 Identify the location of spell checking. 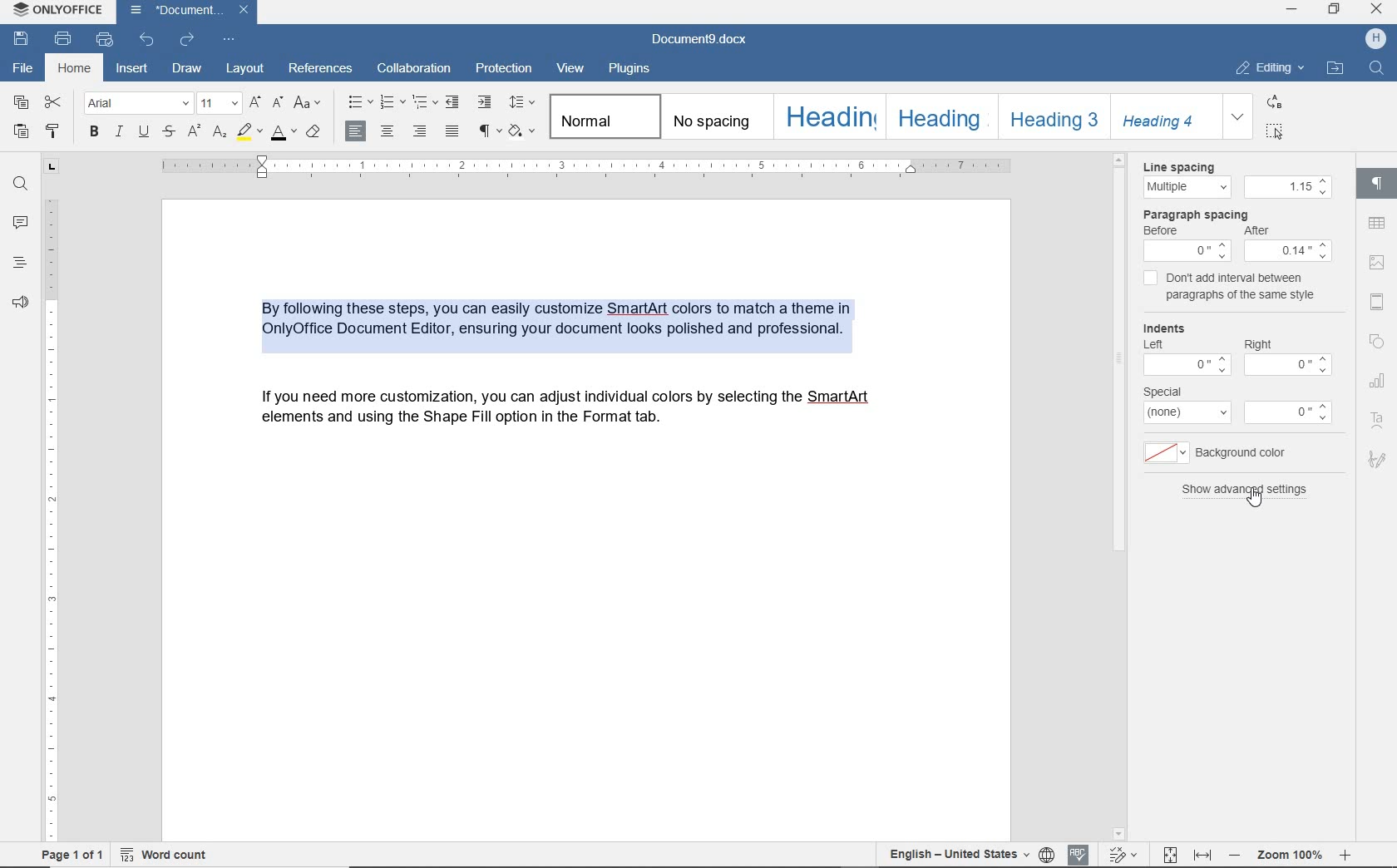
(1080, 851).